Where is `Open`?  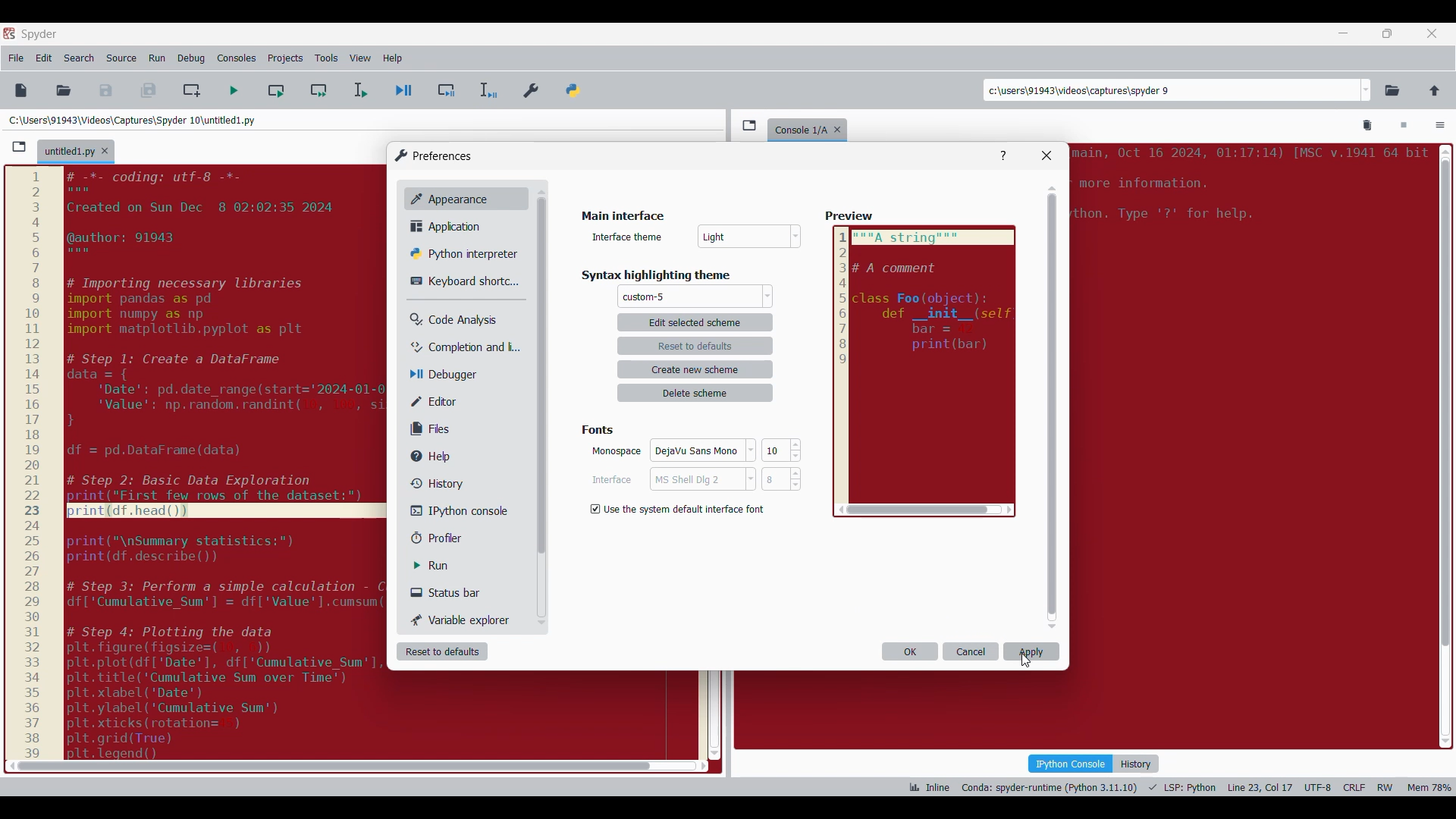 Open is located at coordinates (64, 90).